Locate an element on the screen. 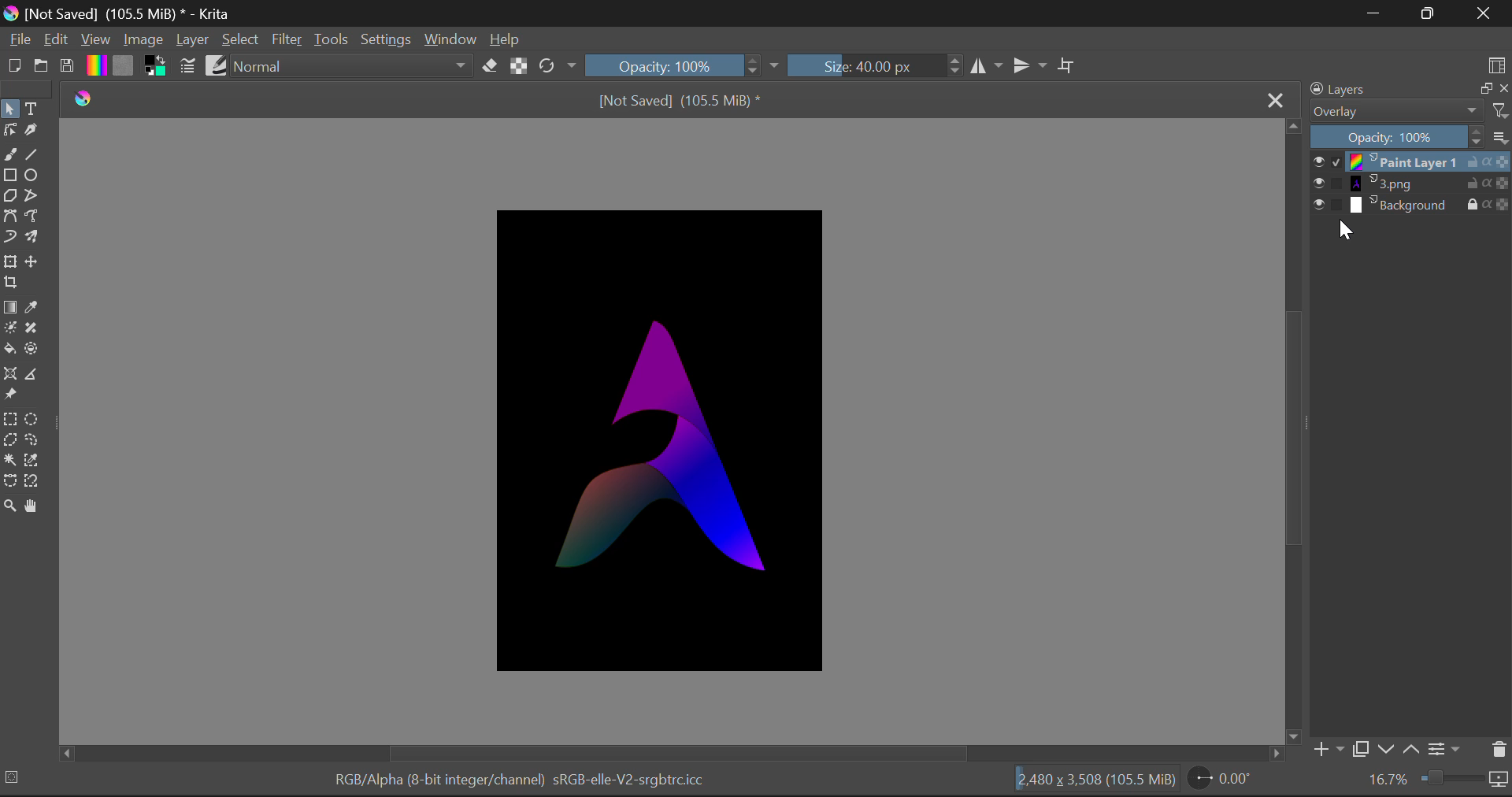 The image size is (1512, 797). Calligraphic Tool is located at coordinates (36, 130).